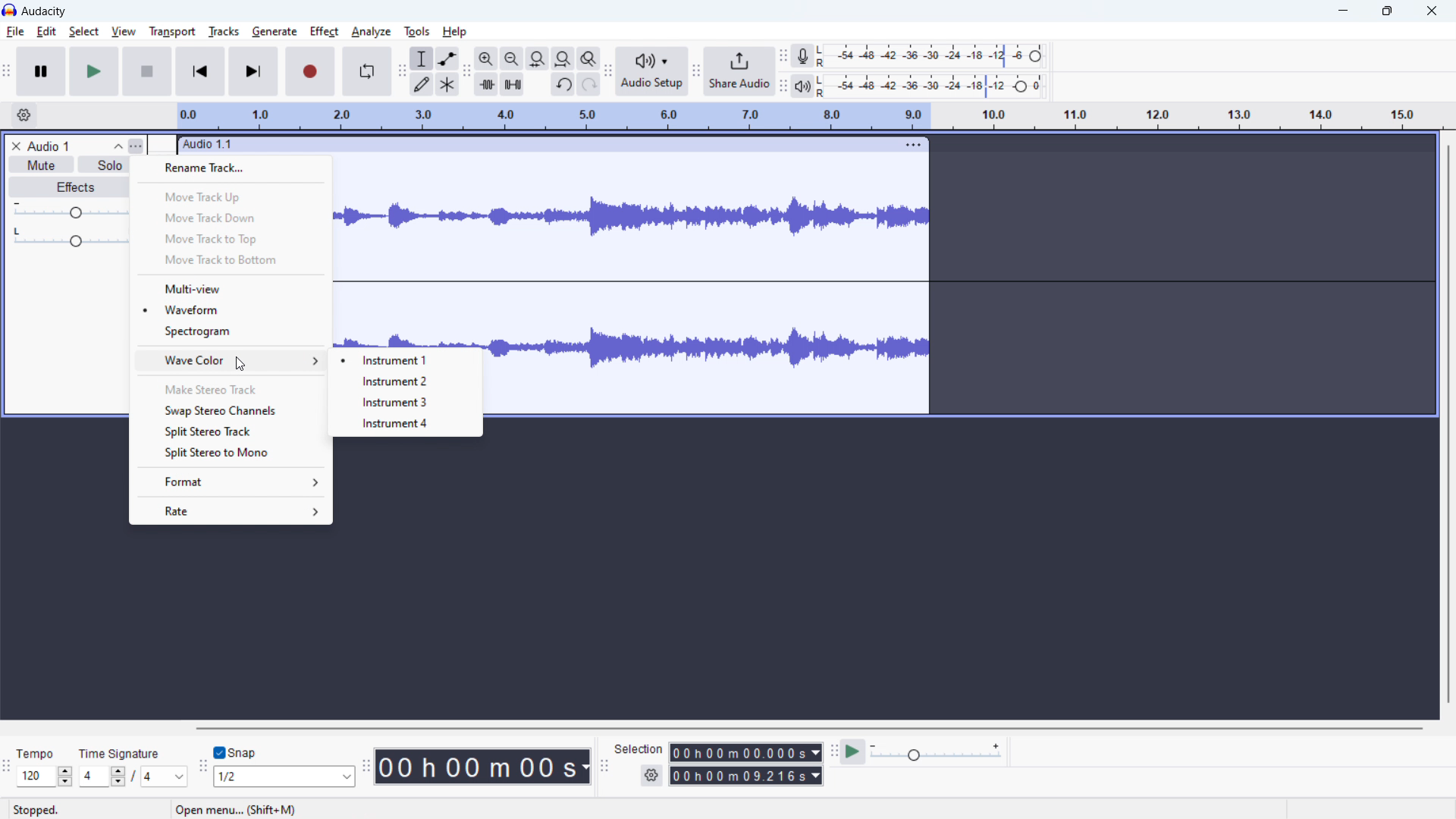  Describe the element at coordinates (7, 770) in the screenshot. I see `time signature toolbar` at that location.